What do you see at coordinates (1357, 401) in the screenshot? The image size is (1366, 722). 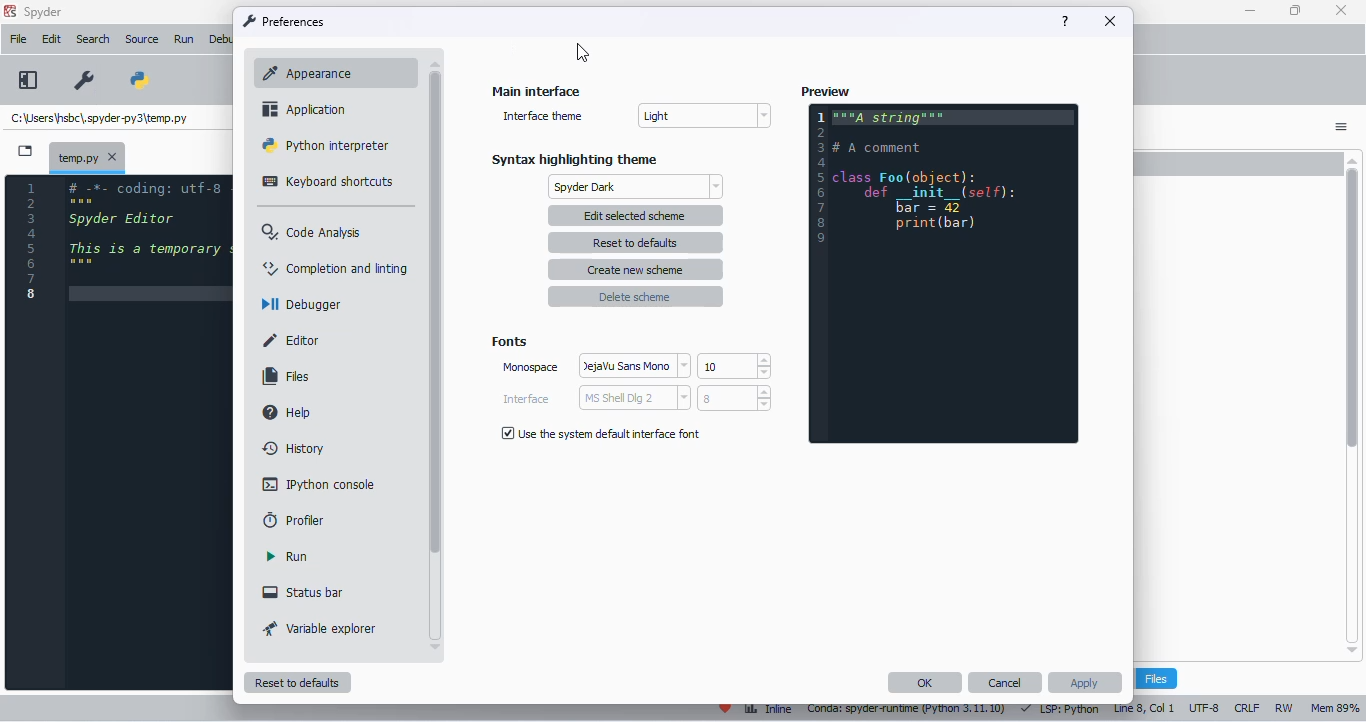 I see `vertical scrollbar` at bounding box center [1357, 401].